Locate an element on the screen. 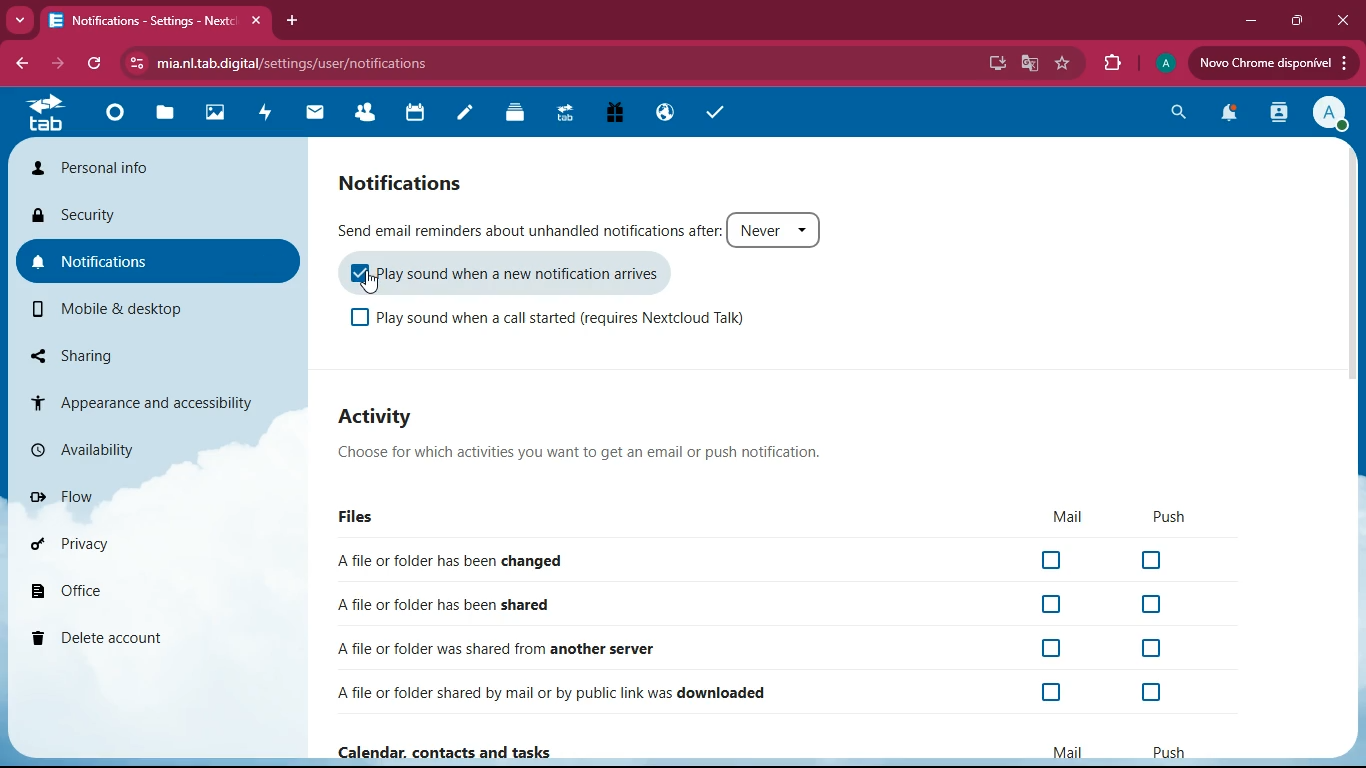 The height and width of the screenshot is (768, 1366). cross is located at coordinates (260, 21).